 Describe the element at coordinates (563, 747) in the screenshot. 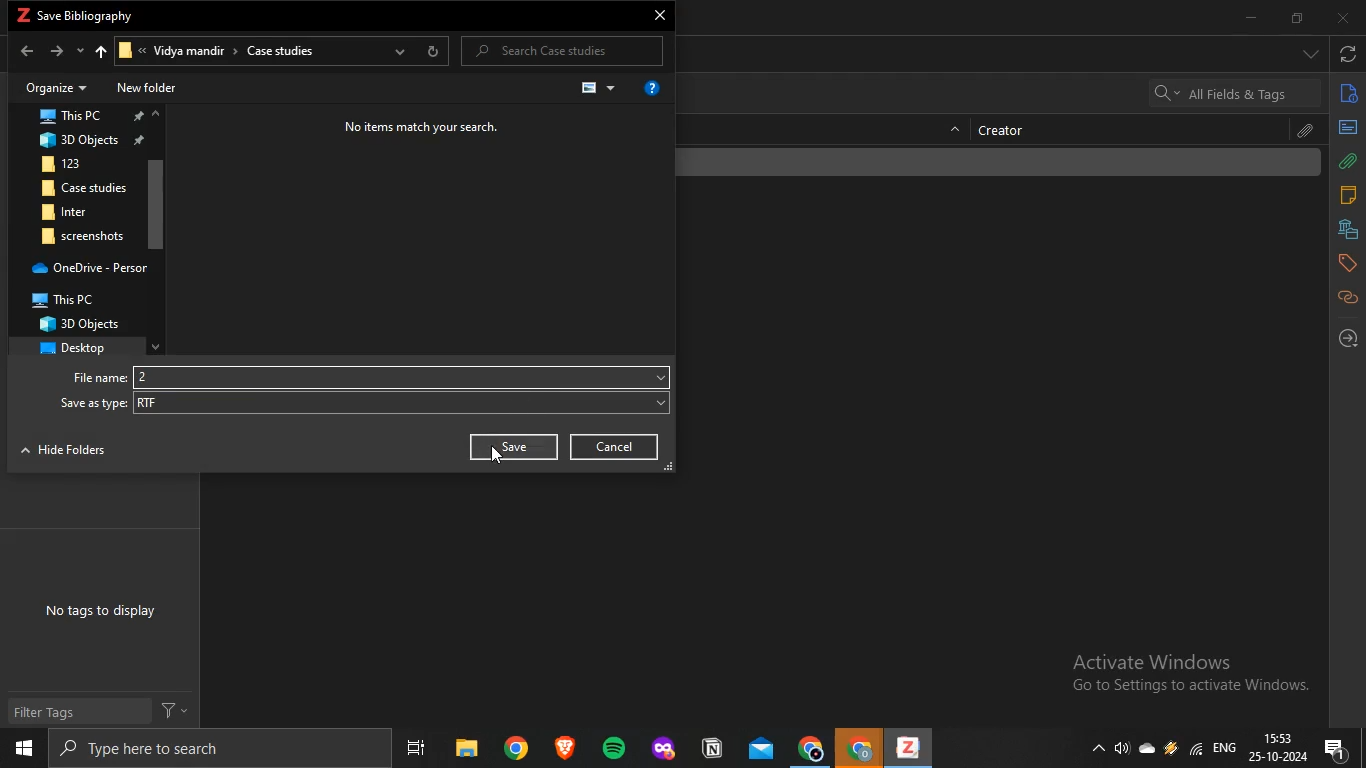

I see `brave` at that location.